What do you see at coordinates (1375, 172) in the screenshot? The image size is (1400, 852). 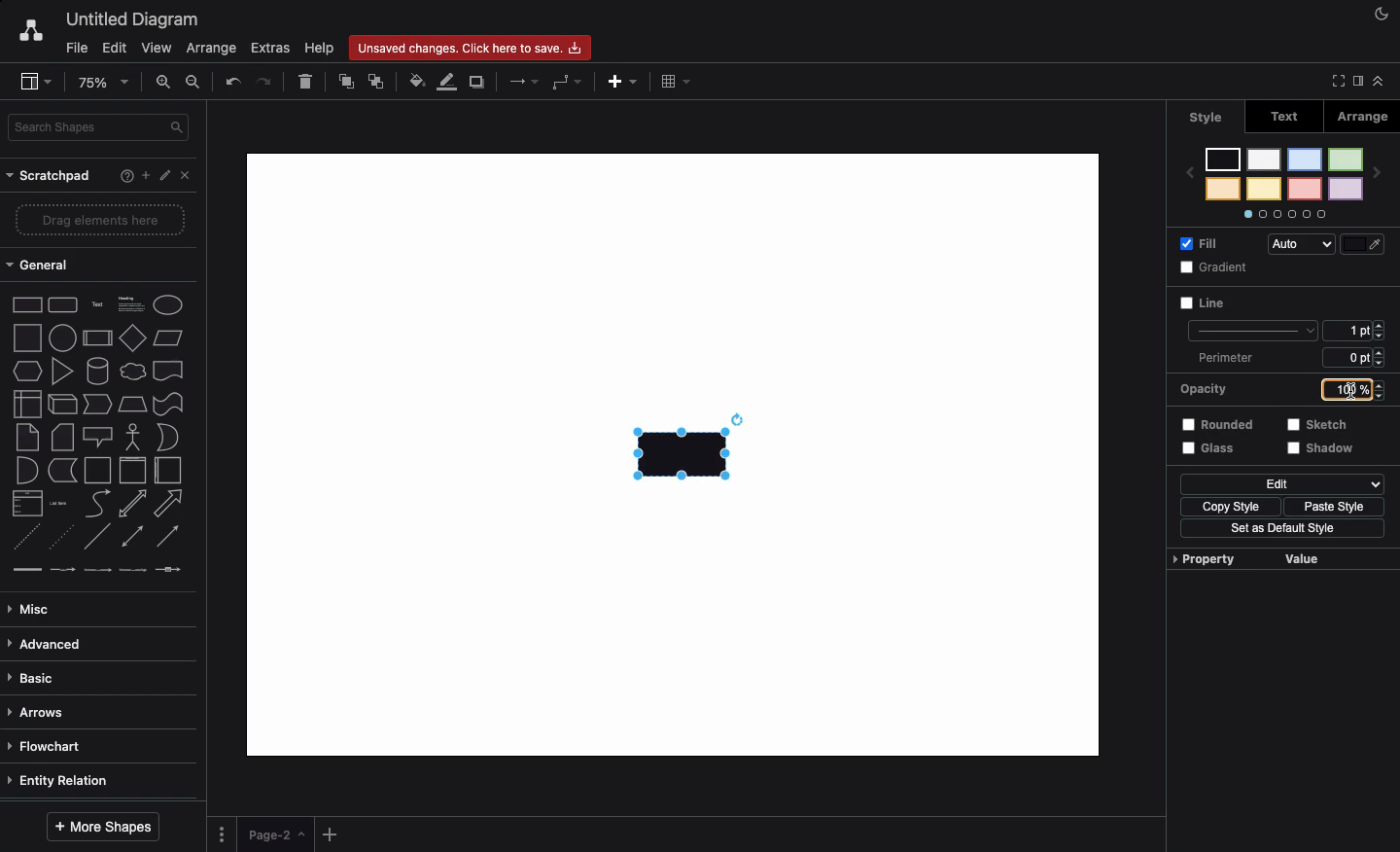 I see `next` at bounding box center [1375, 172].